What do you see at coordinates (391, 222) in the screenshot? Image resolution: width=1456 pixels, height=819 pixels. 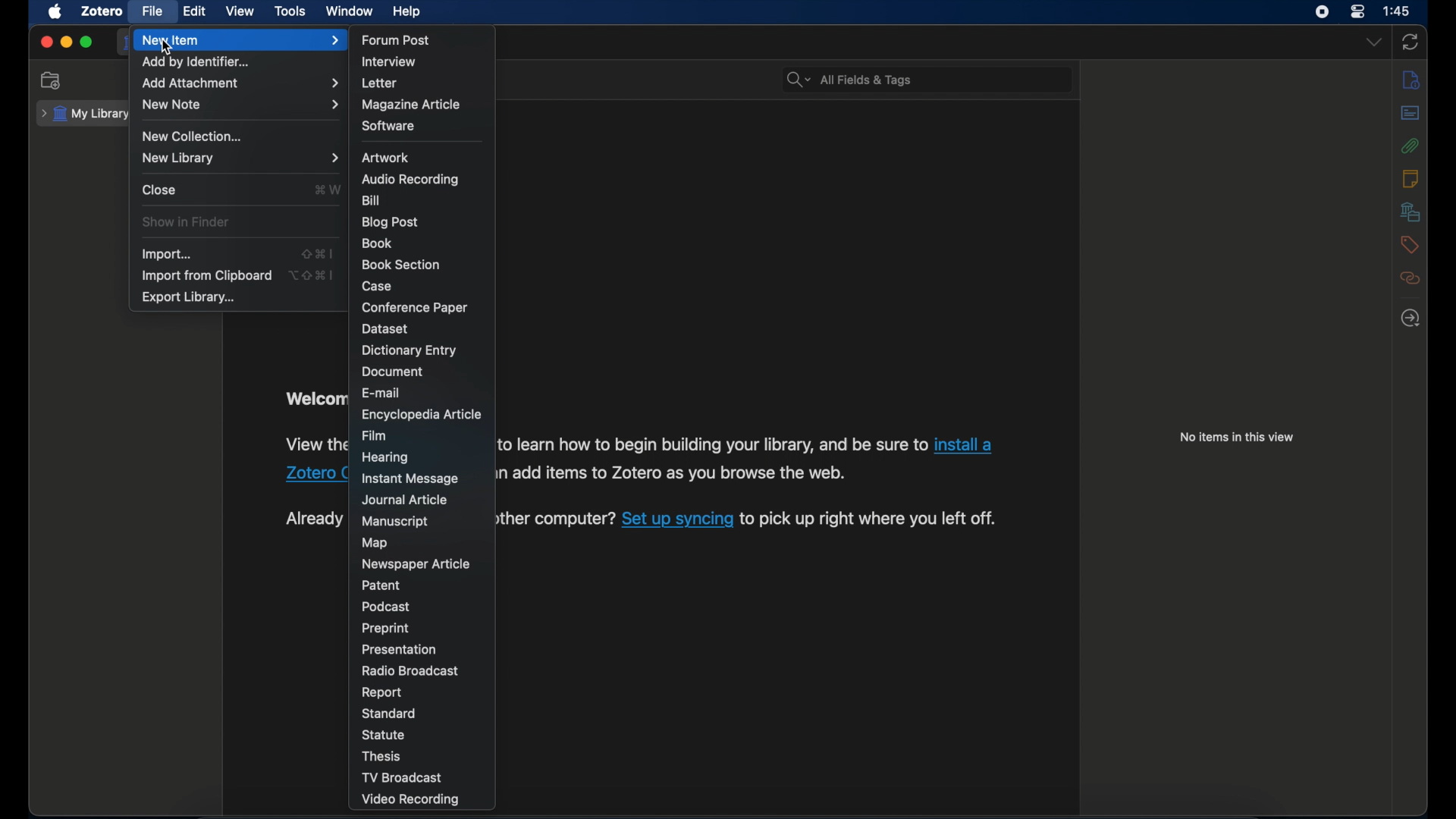 I see `blog post` at bounding box center [391, 222].